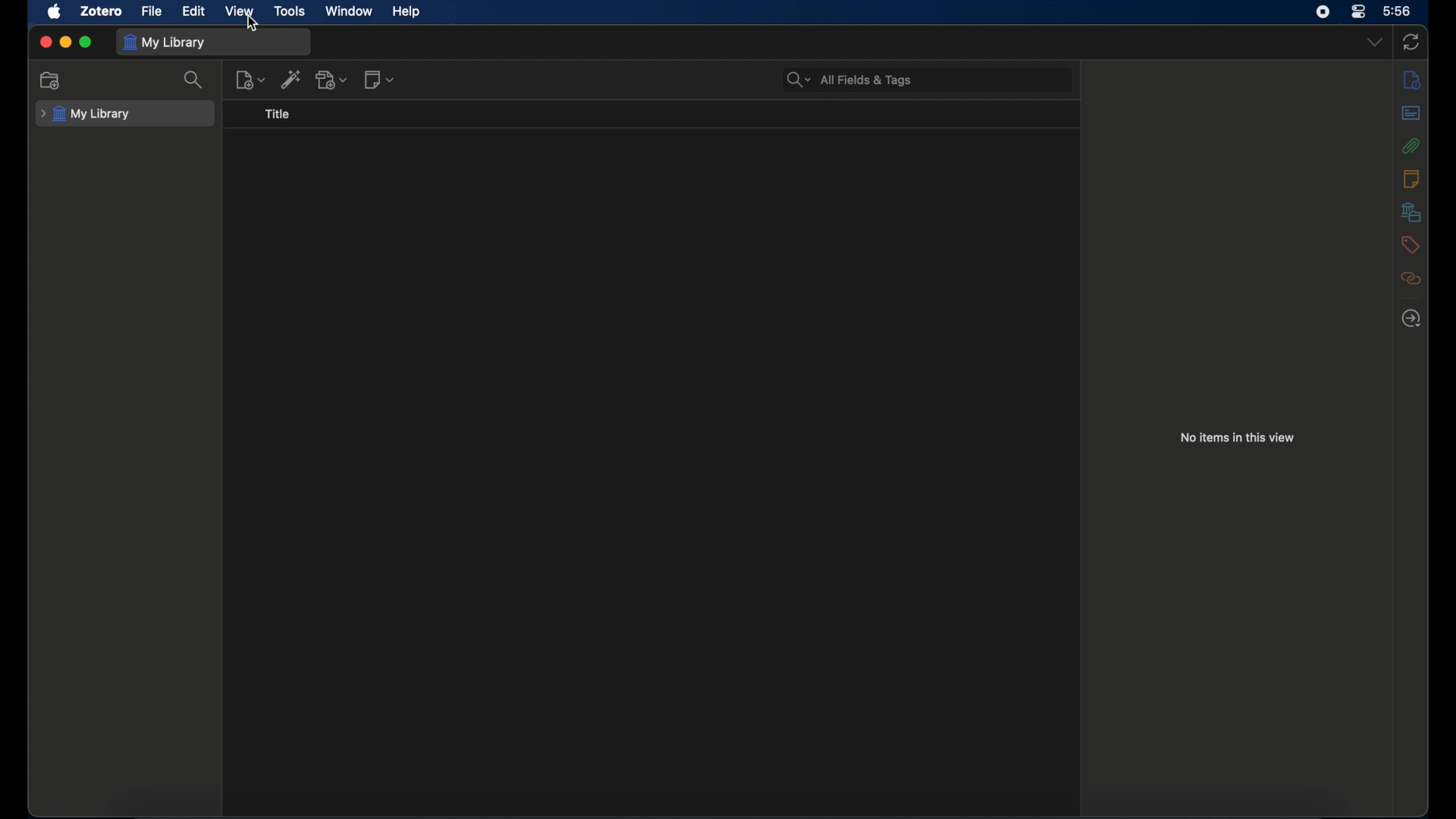 Image resolution: width=1456 pixels, height=819 pixels. Describe the element at coordinates (1323, 11) in the screenshot. I see `screen recorder ` at that location.